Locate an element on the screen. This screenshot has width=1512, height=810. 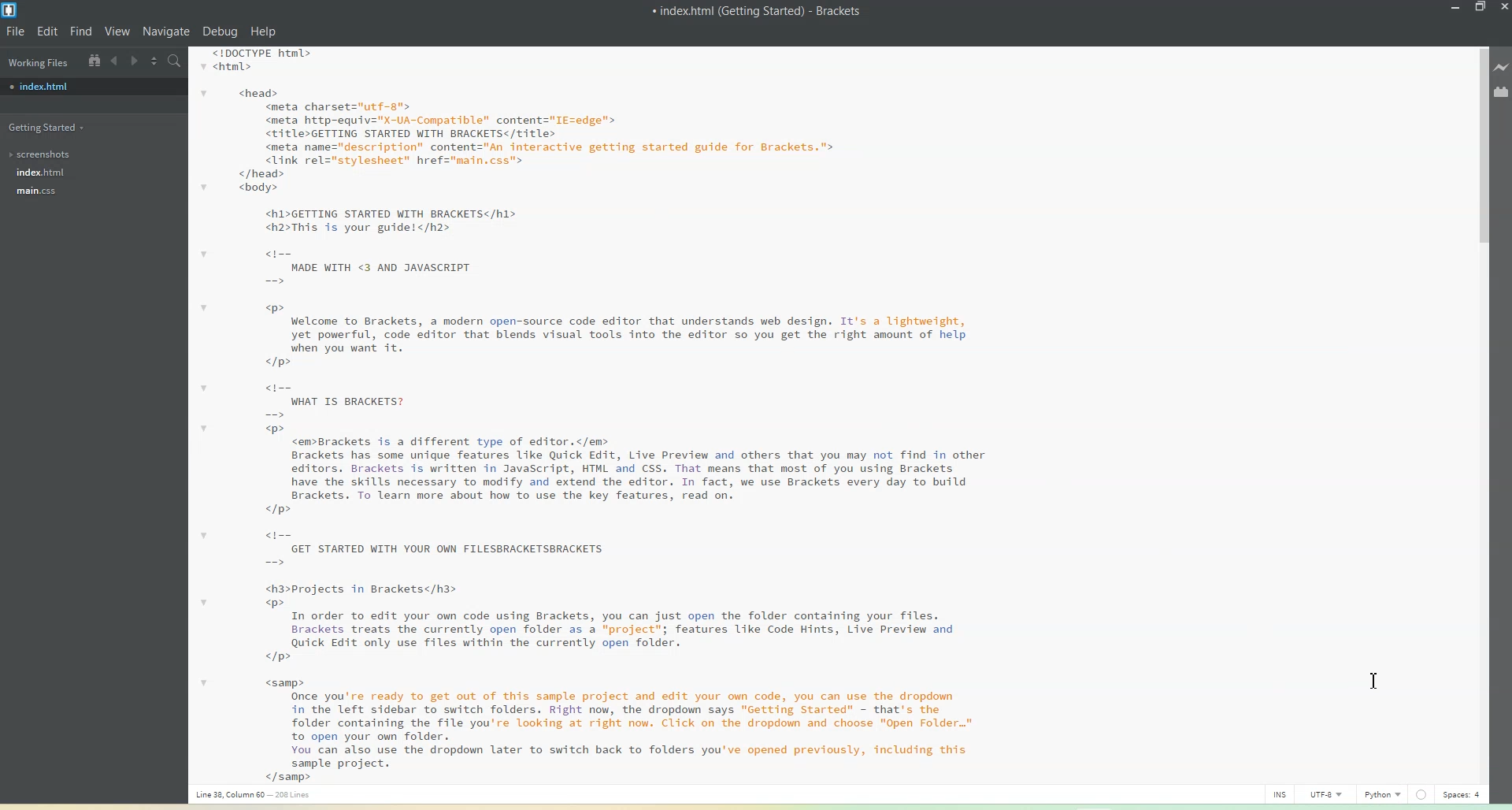
HTML is located at coordinates (1385, 793).